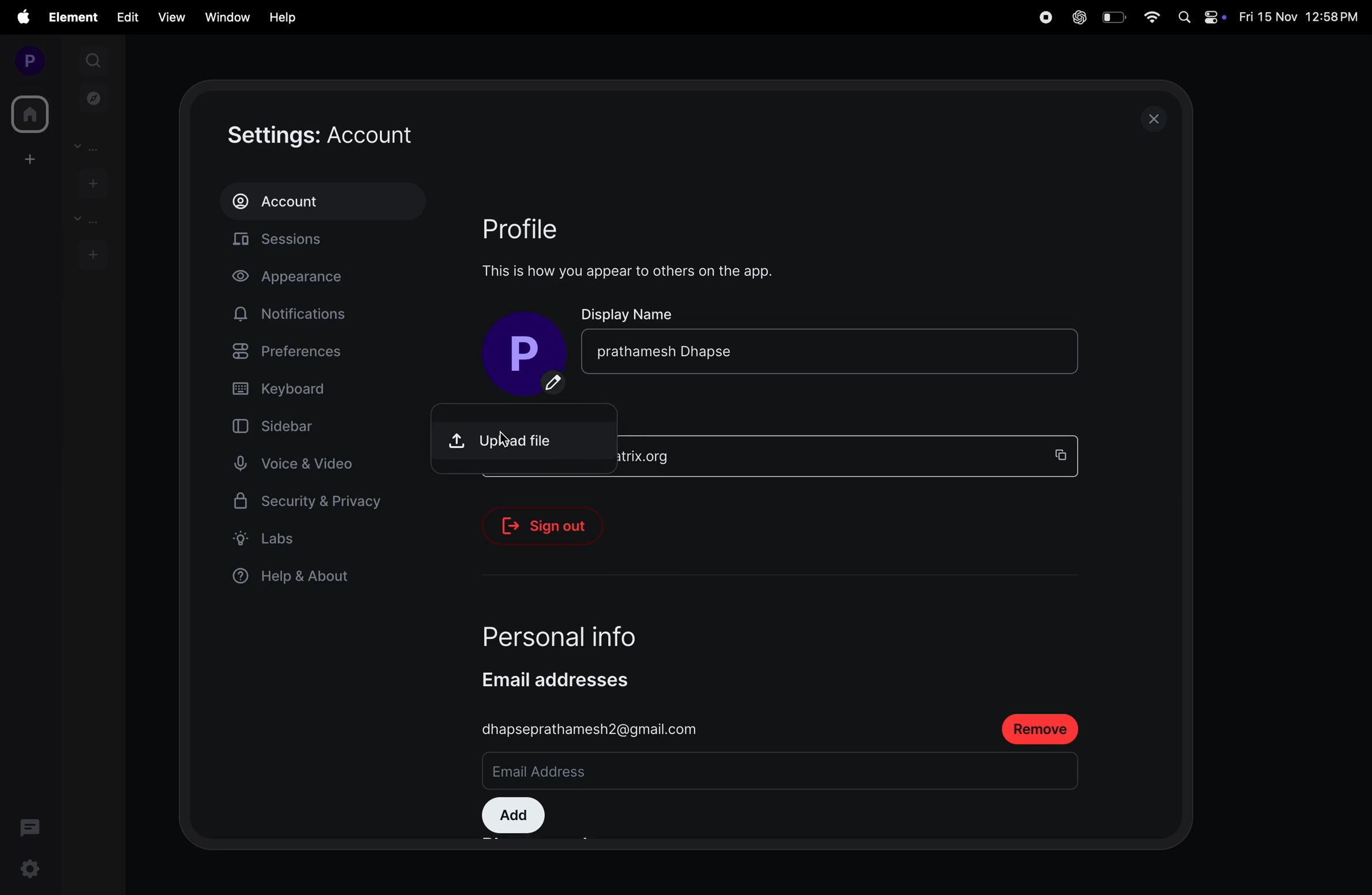 The image size is (1372, 895). Describe the element at coordinates (308, 538) in the screenshot. I see `labs` at that location.